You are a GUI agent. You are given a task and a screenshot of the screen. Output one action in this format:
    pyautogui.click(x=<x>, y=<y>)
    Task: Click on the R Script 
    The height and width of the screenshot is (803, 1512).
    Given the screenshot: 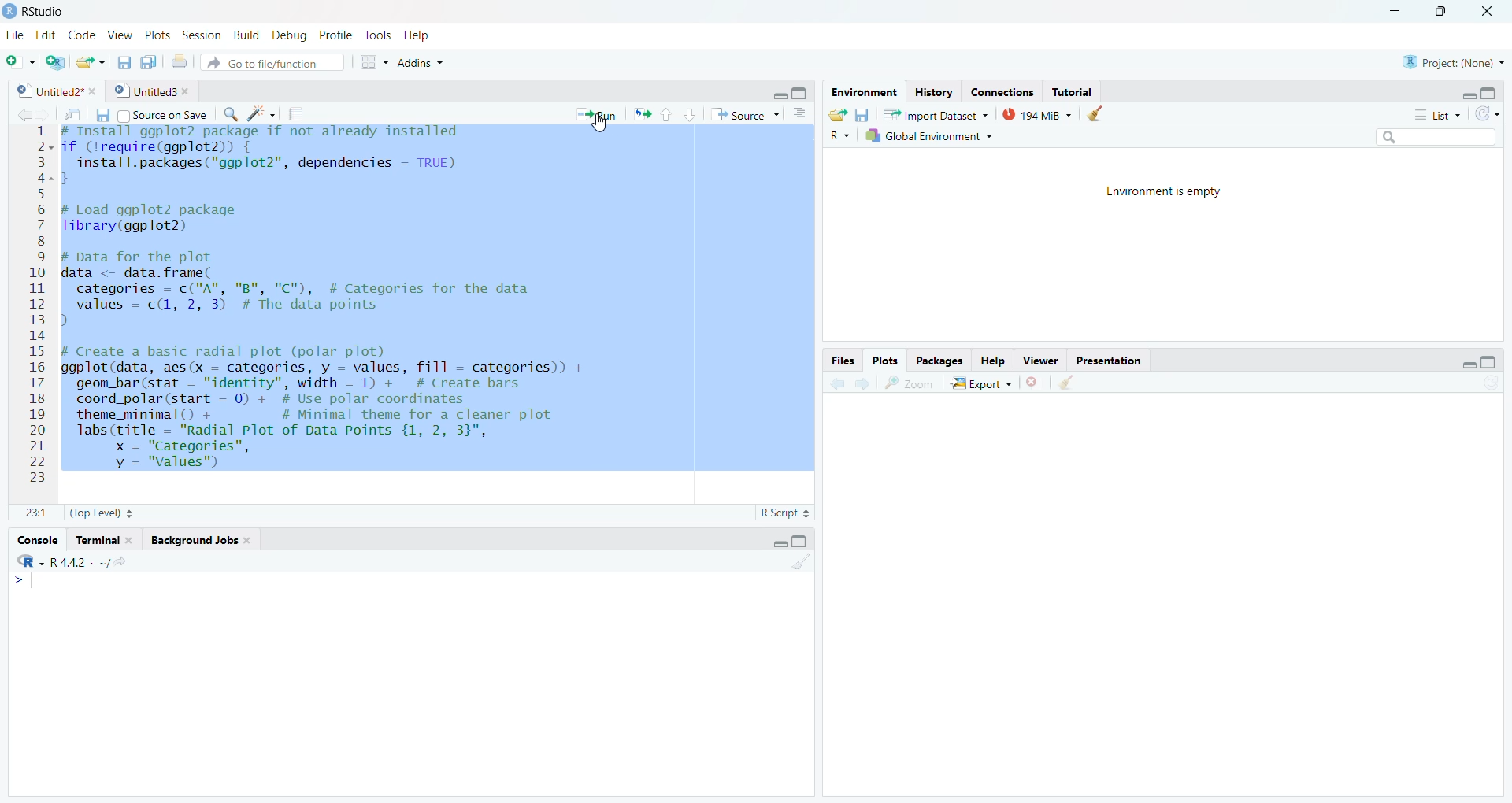 What is the action you would take?
    pyautogui.click(x=783, y=512)
    